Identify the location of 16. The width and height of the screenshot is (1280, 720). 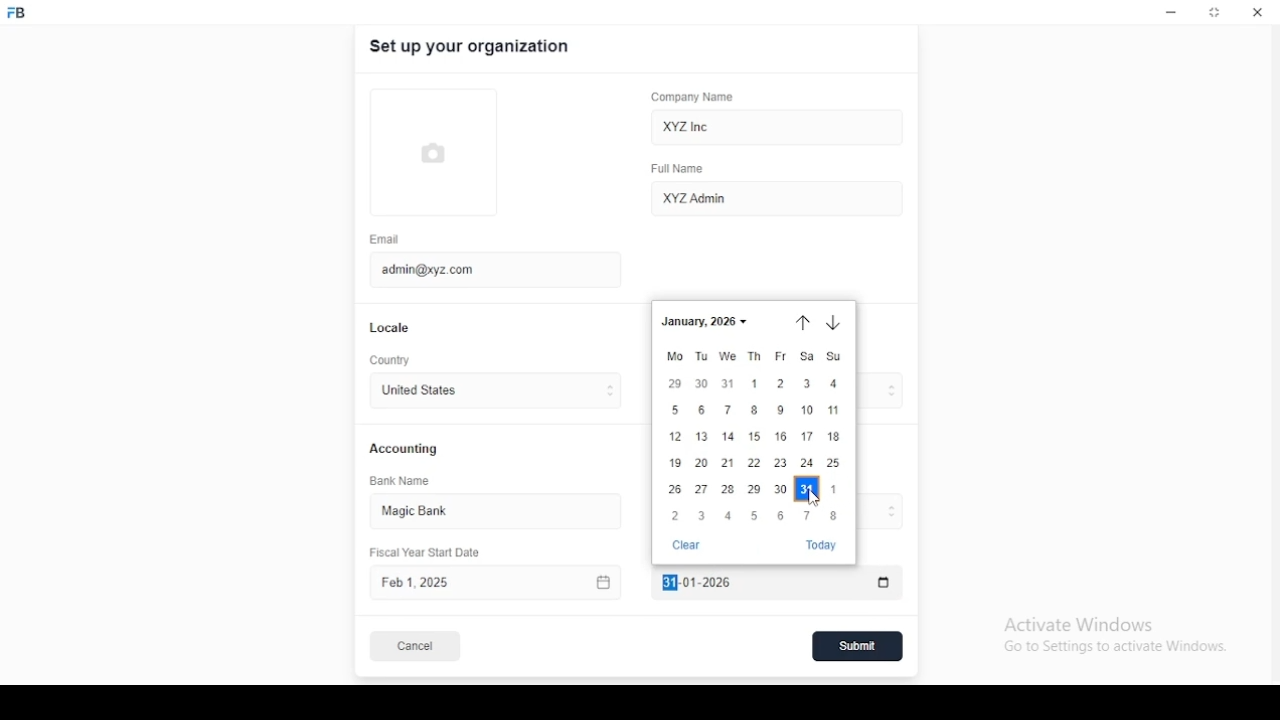
(778, 438).